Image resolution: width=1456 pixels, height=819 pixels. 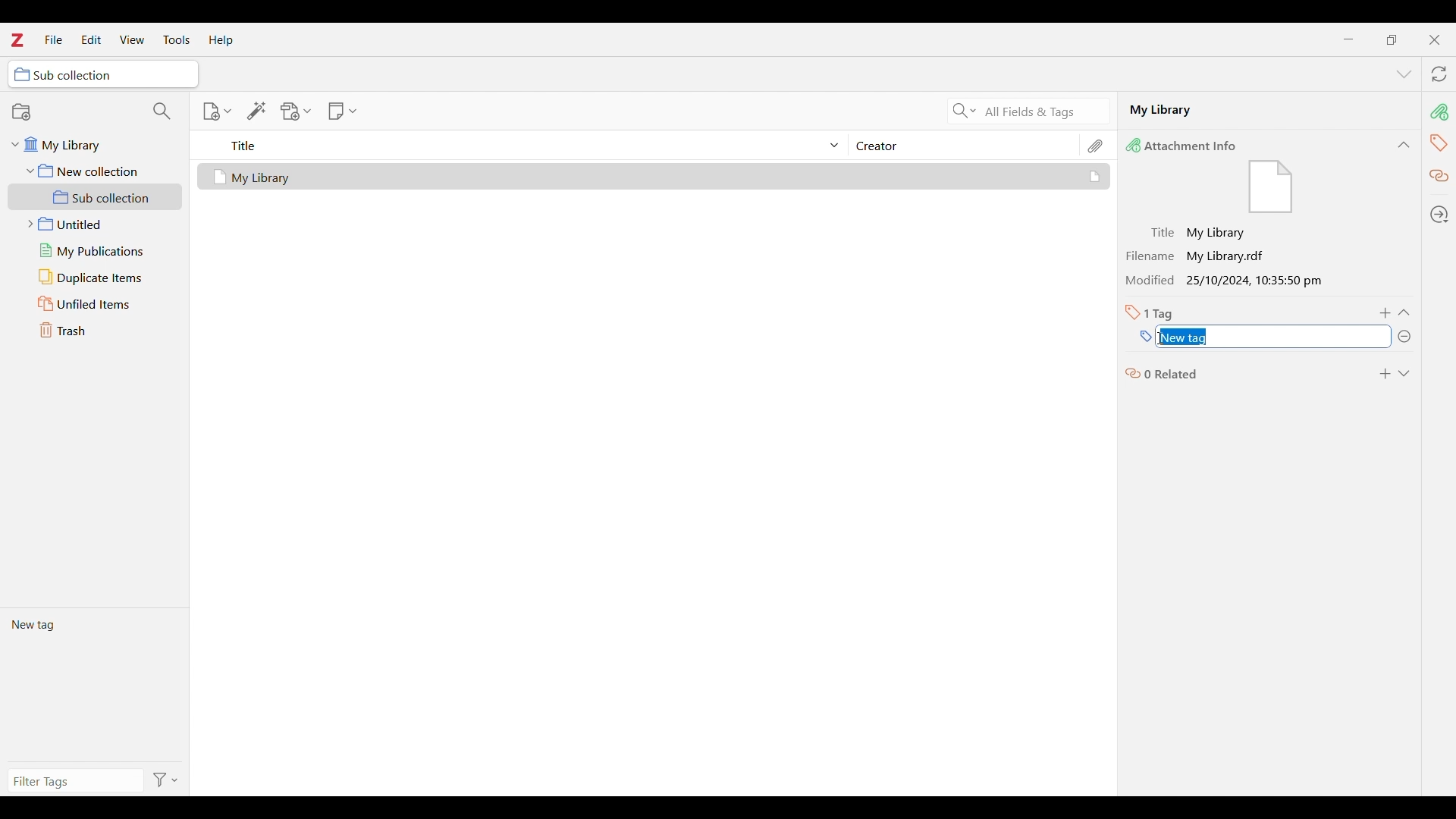 I want to click on New item options, so click(x=217, y=111).